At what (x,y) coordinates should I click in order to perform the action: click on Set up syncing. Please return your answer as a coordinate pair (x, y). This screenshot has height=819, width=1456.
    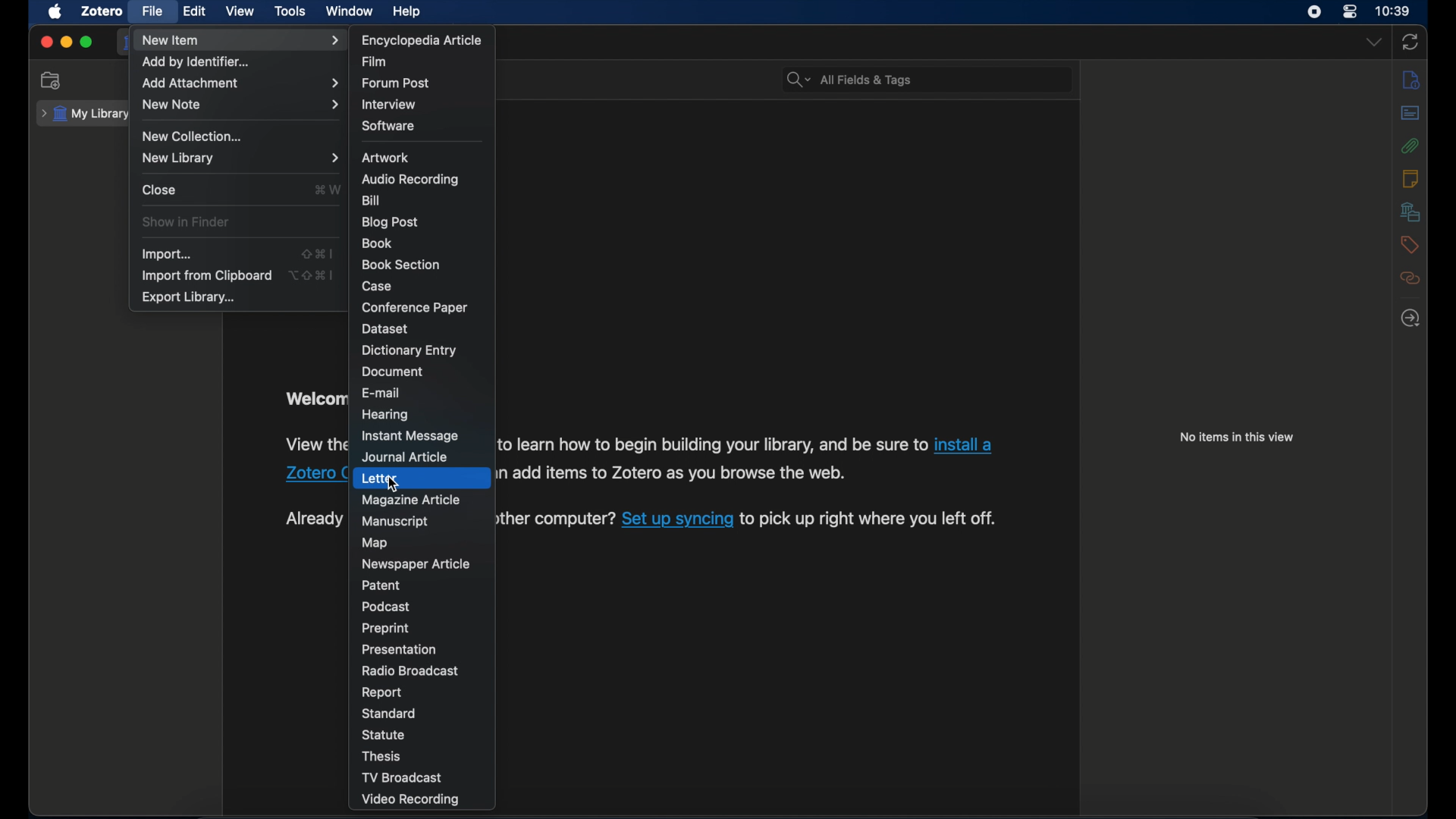
    Looking at the image, I should click on (678, 520).